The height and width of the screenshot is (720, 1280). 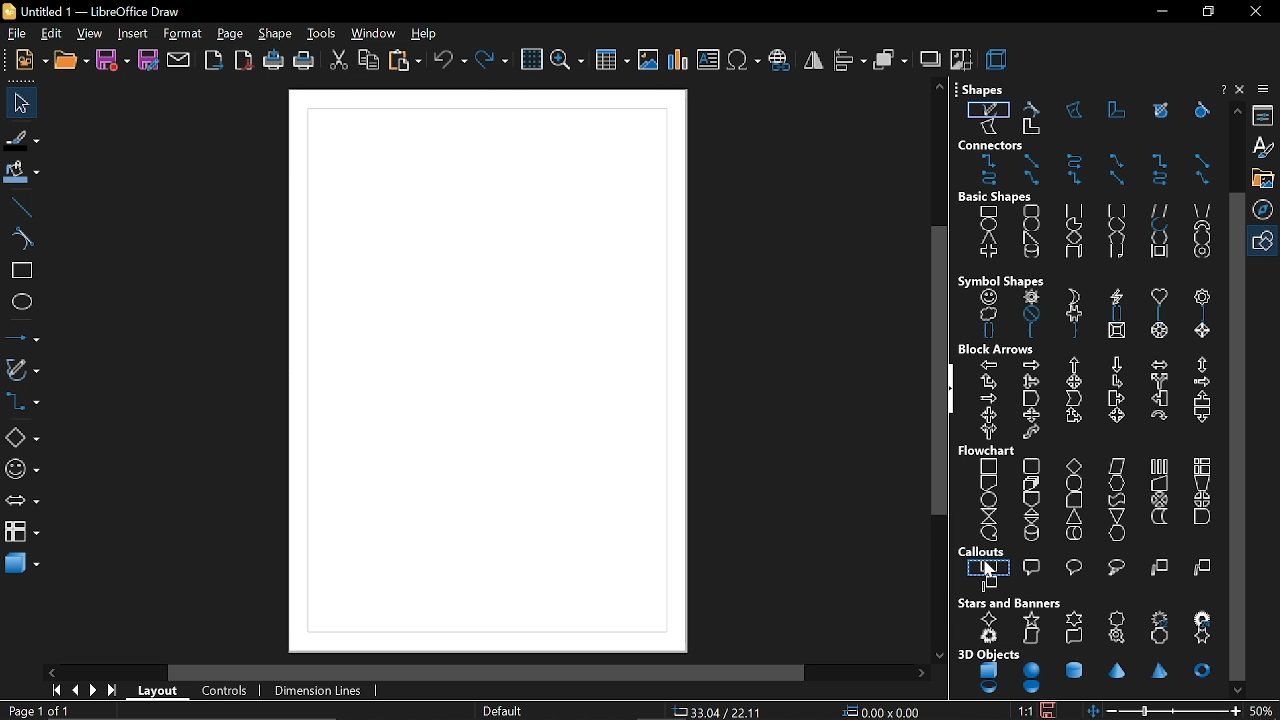 I want to click on sidebar settings, so click(x=1264, y=91).